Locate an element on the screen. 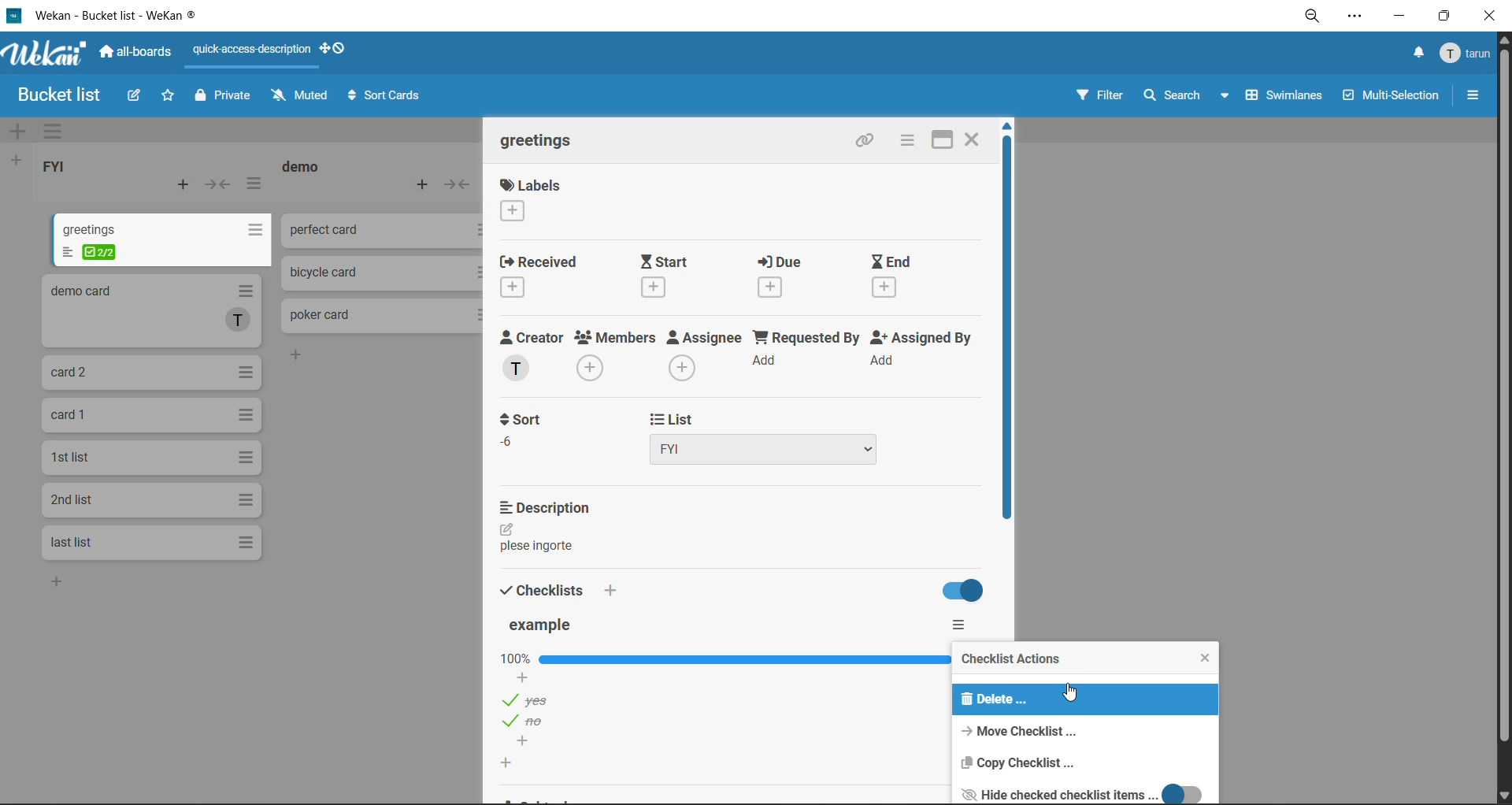  settings is located at coordinates (1359, 17).